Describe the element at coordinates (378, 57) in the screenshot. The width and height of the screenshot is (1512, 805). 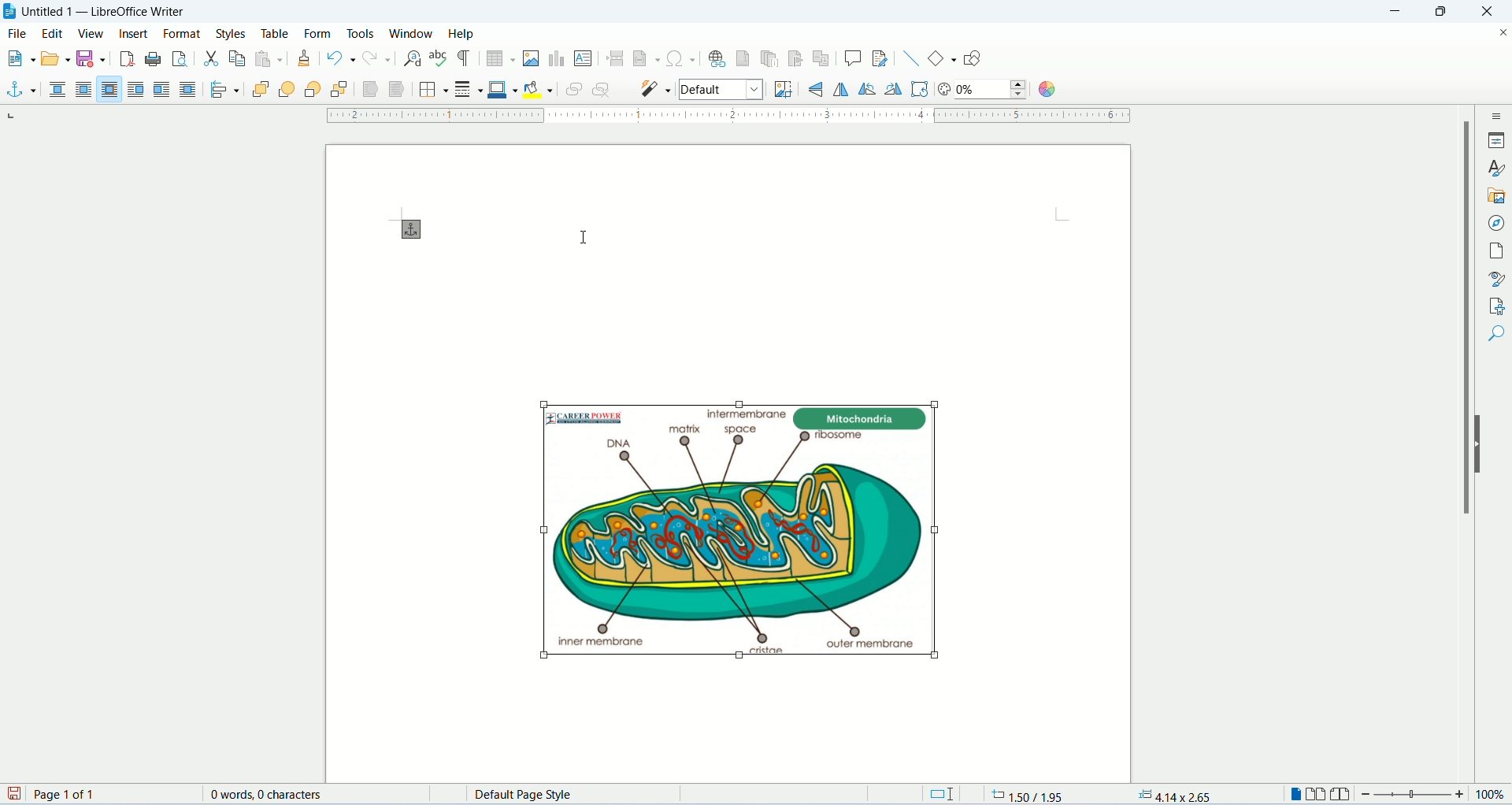
I see `redo` at that location.